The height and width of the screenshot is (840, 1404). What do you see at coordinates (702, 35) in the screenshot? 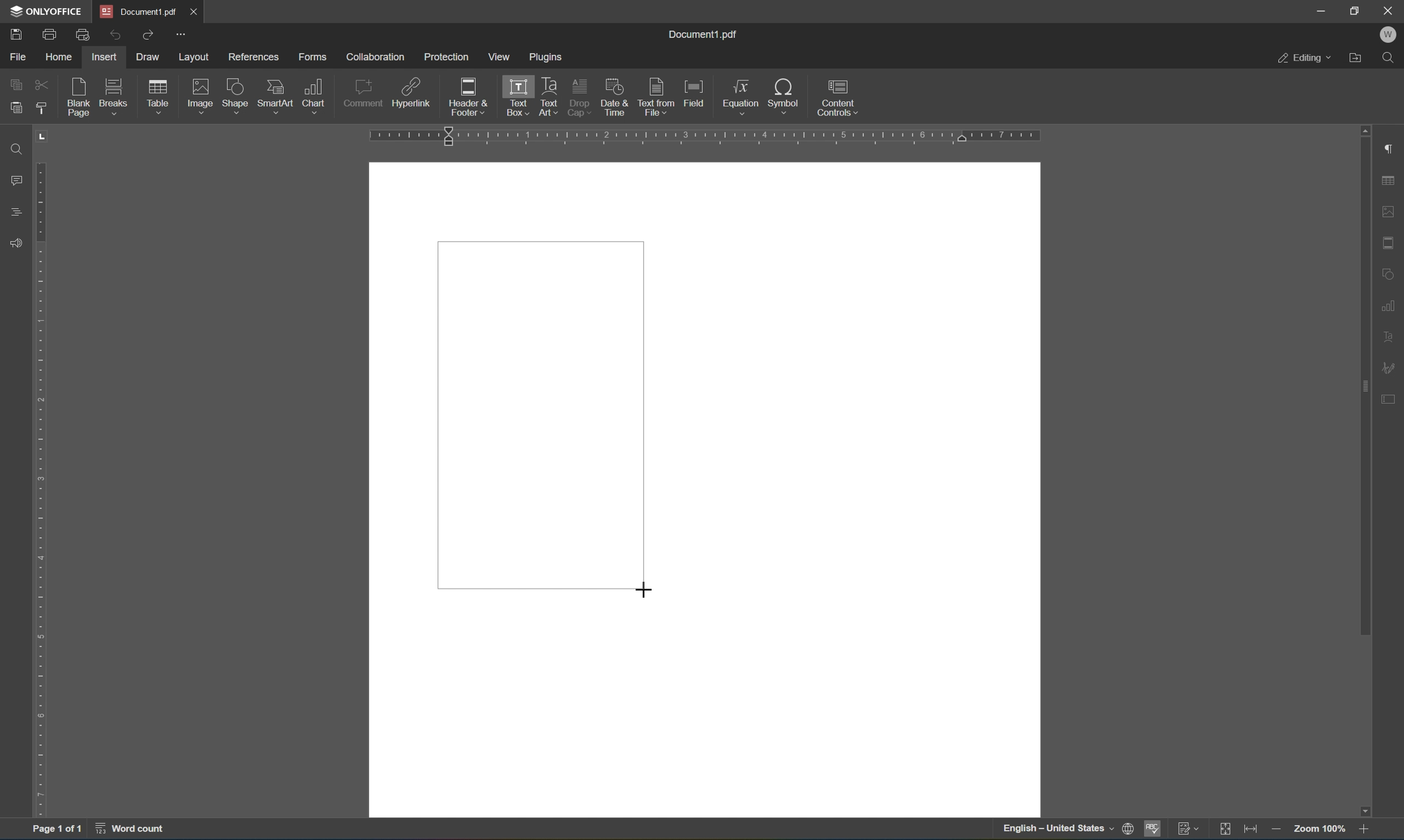
I see `document1.pdf` at bounding box center [702, 35].